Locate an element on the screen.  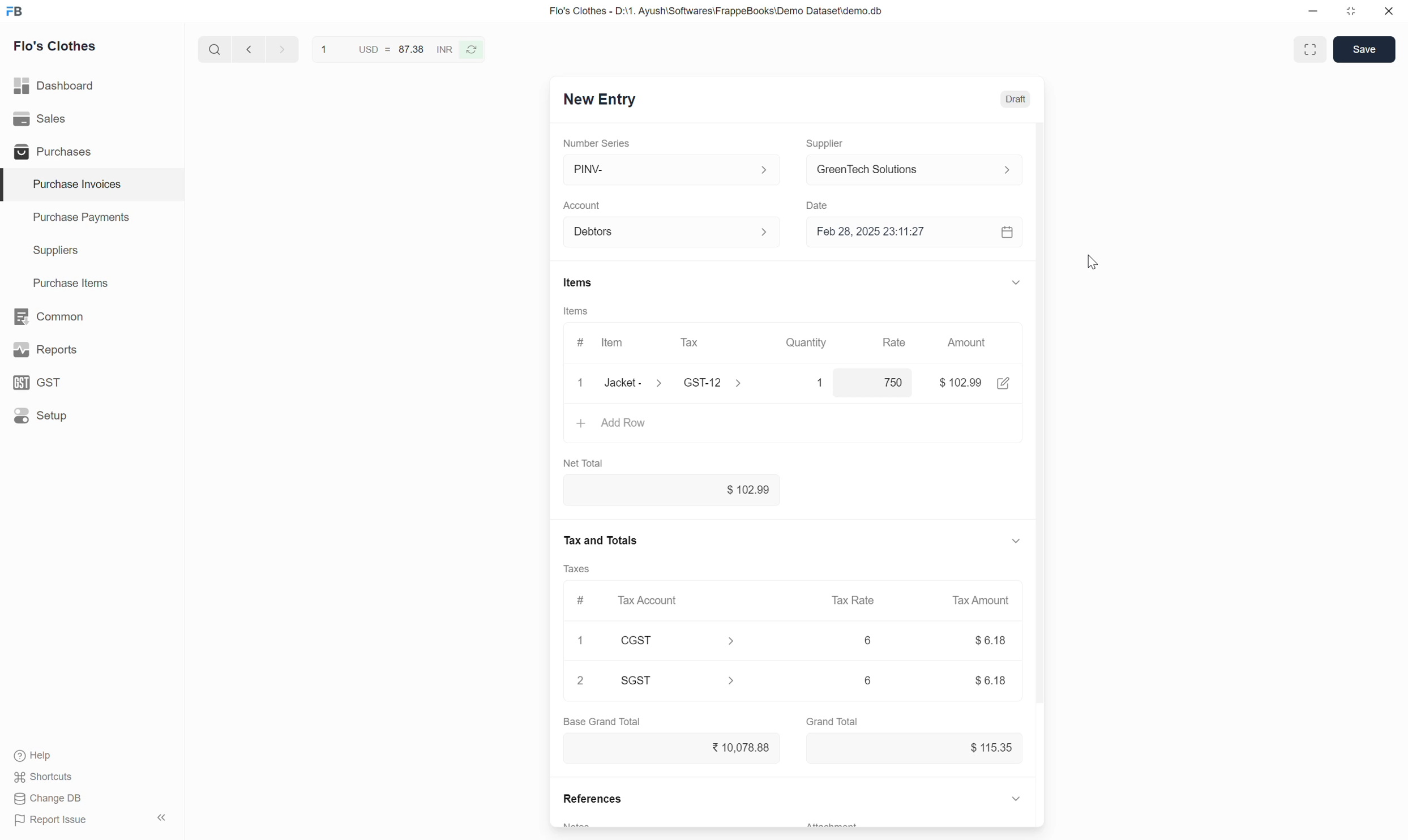
Sales is located at coordinates (91, 119).